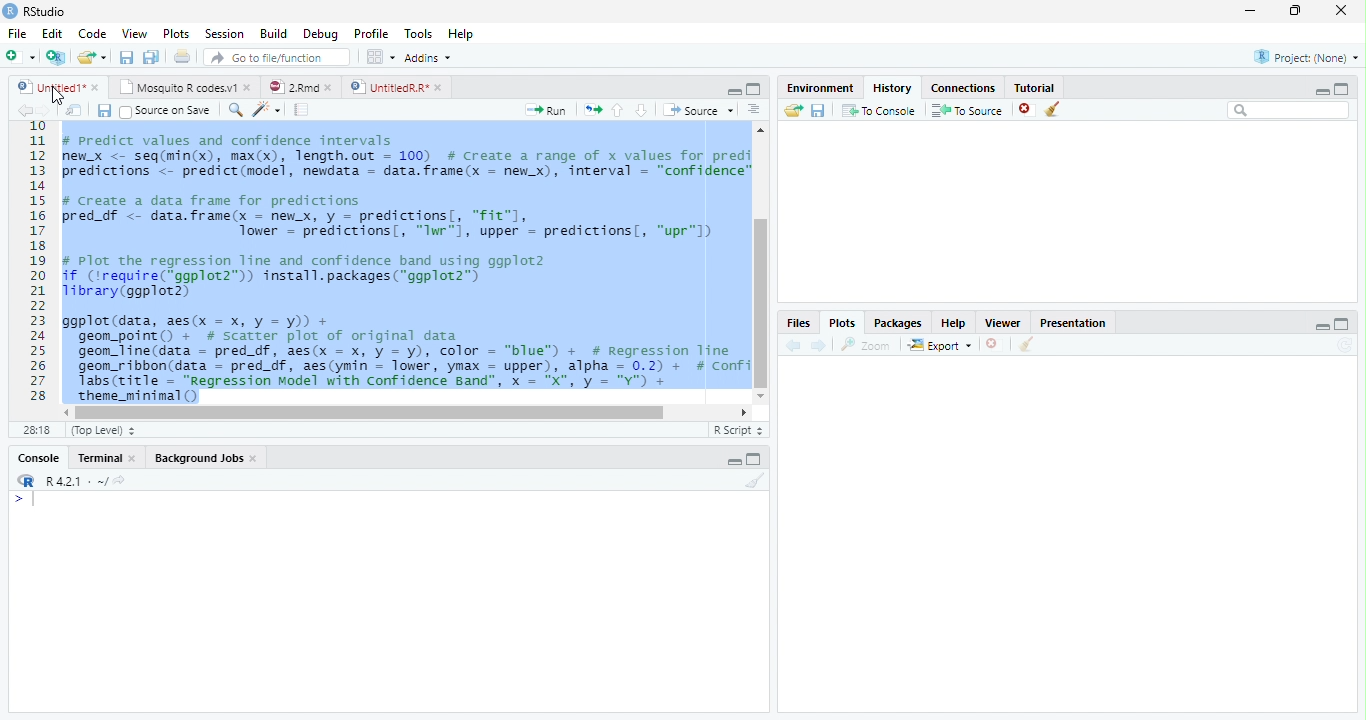  Describe the element at coordinates (734, 93) in the screenshot. I see `minimize` at that location.